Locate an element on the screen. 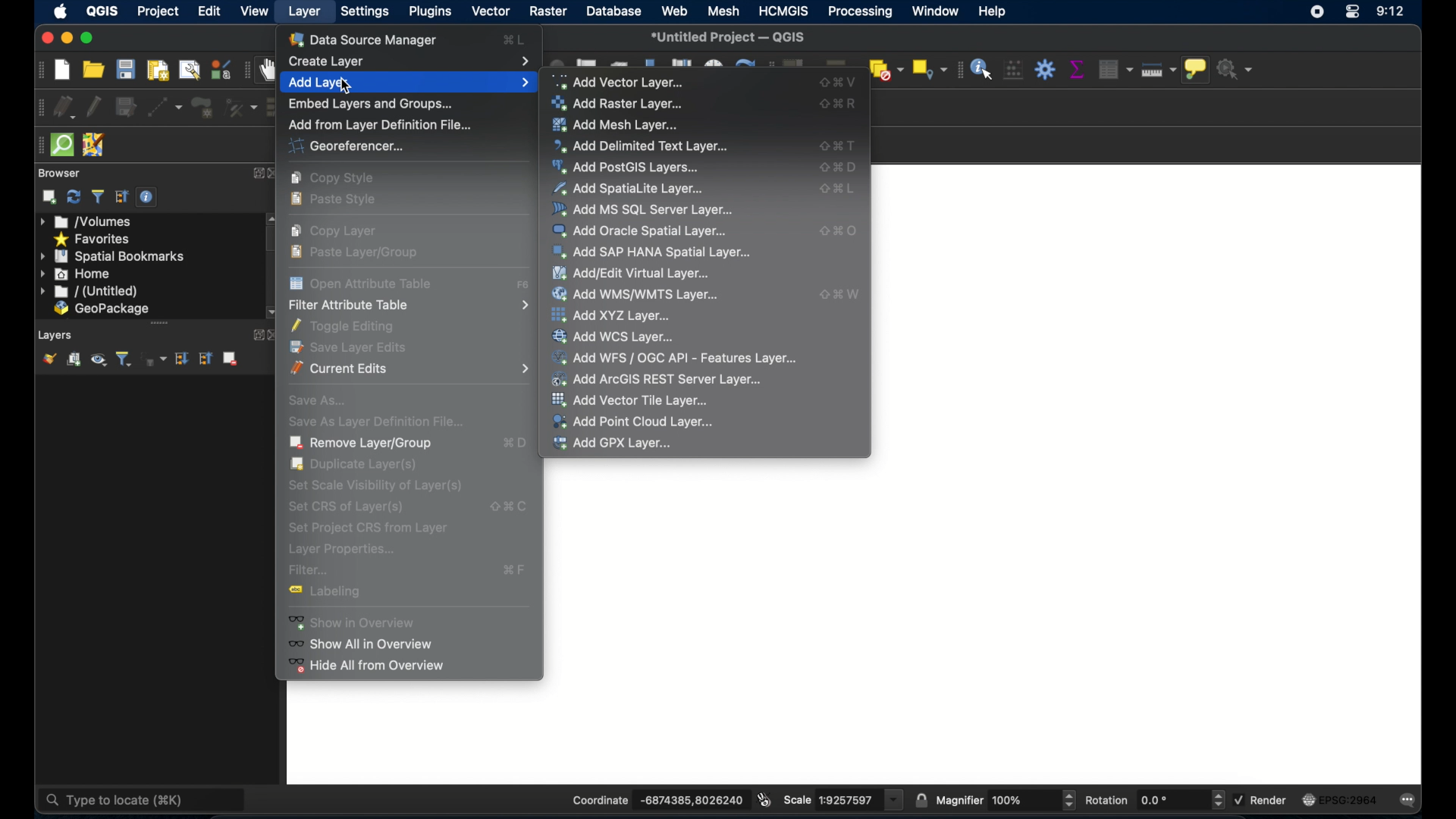 Image resolution: width=1456 pixels, height=819 pixels. Georeferencer... is located at coordinates (373, 146).